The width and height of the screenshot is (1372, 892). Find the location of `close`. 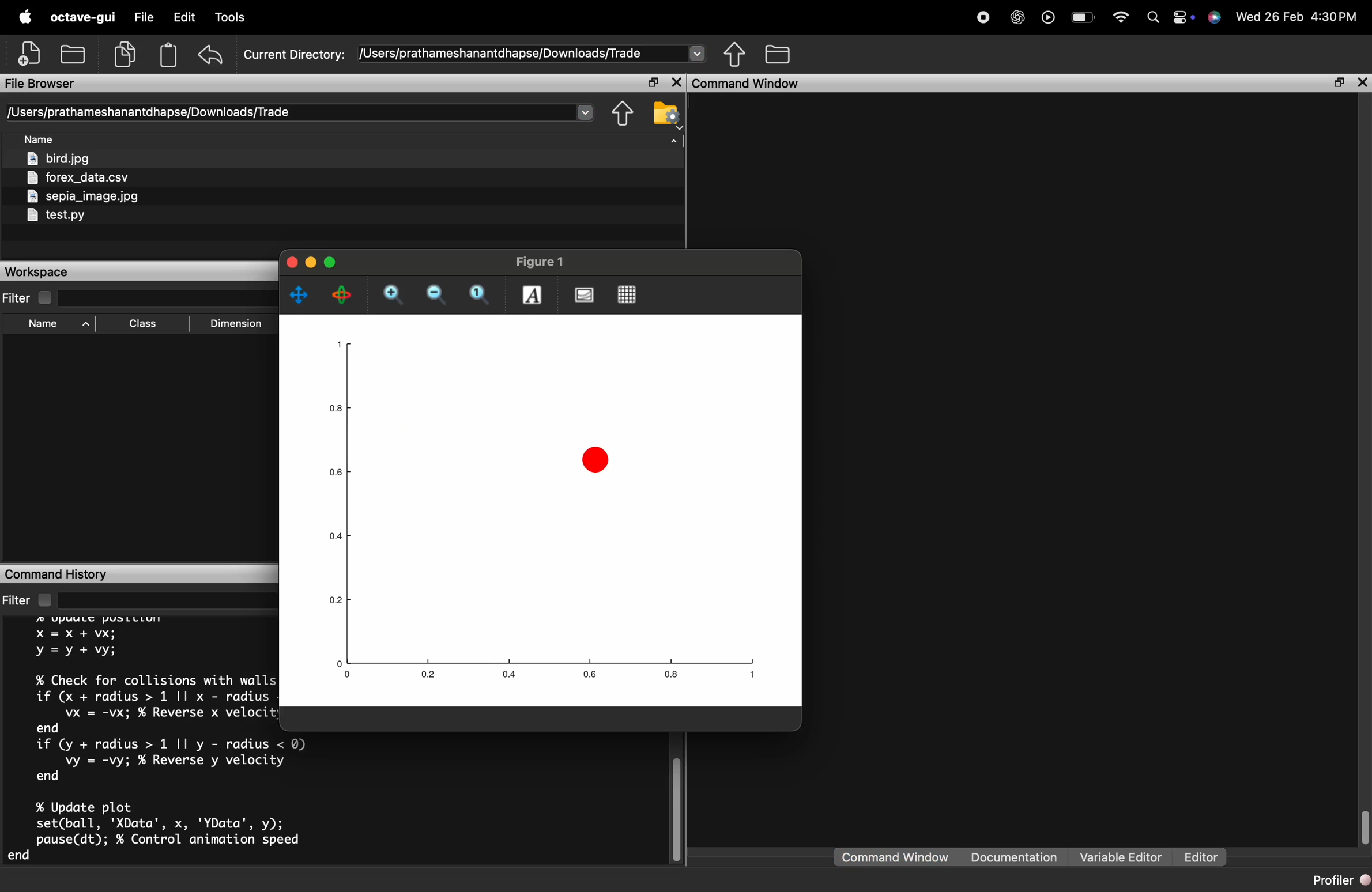

close is located at coordinates (292, 262).